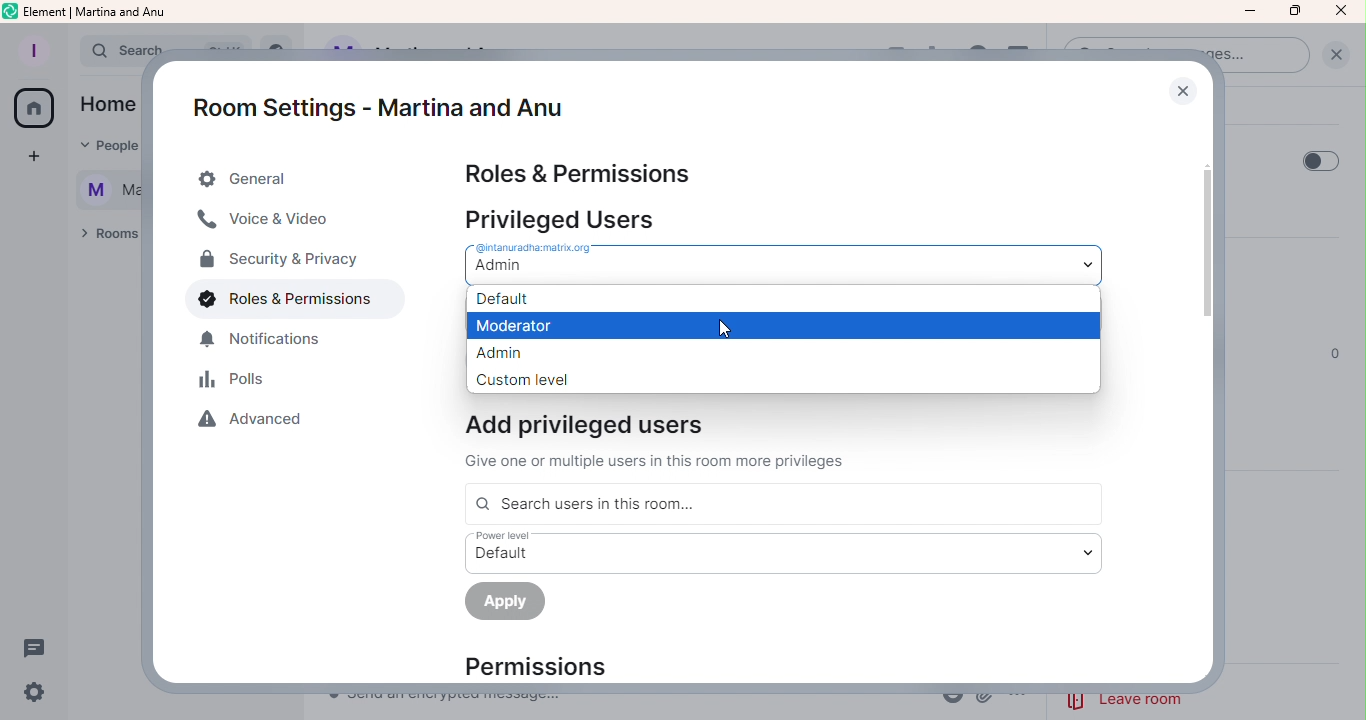  Describe the element at coordinates (108, 51) in the screenshot. I see `Search` at that location.